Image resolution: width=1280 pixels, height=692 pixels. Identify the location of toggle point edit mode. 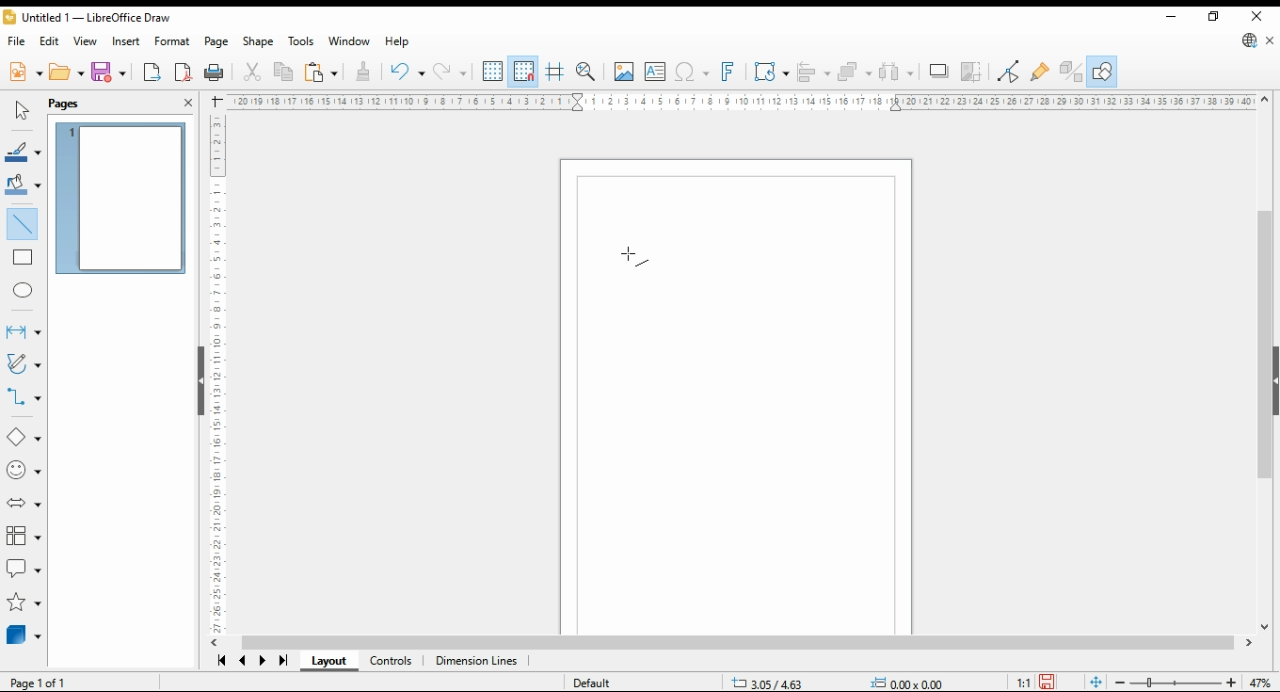
(1010, 69).